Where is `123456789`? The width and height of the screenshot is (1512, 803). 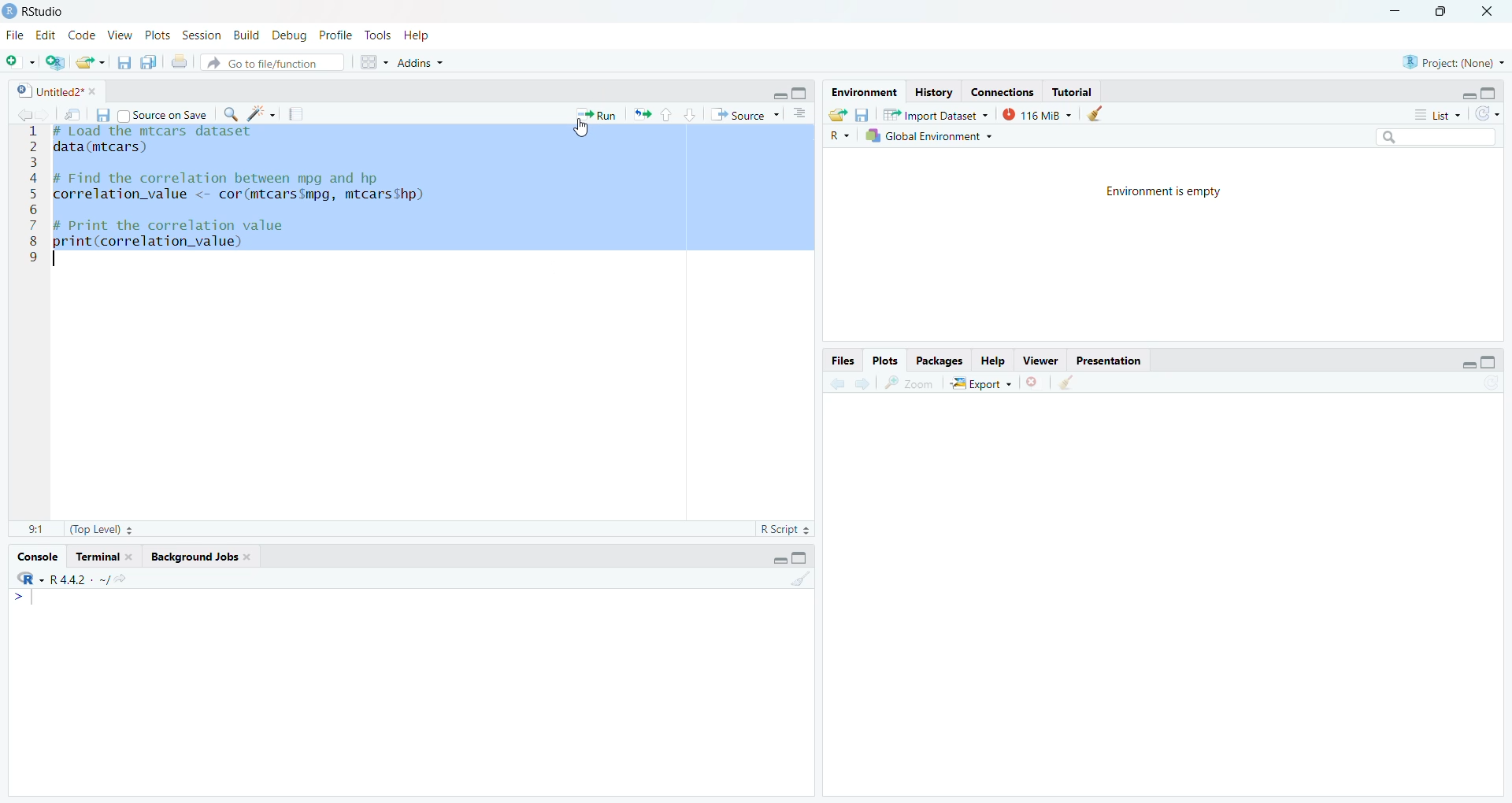 123456789 is located at coordinates (31, 202).